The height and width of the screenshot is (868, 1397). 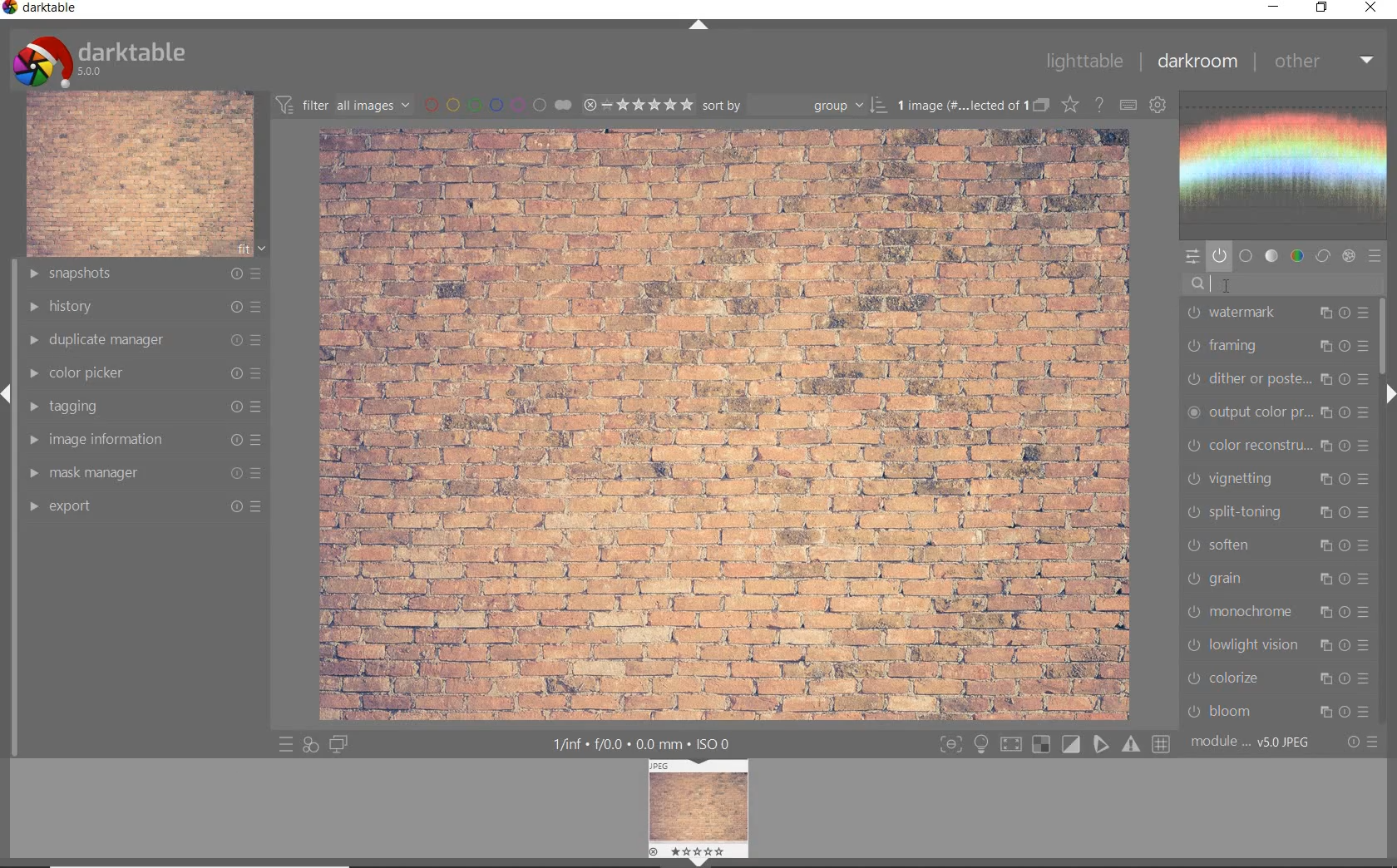 What do you see at coordinates (1360, 742) in the screenshot?
I see `reset or preset preference` at bounding box center [1360, 742].